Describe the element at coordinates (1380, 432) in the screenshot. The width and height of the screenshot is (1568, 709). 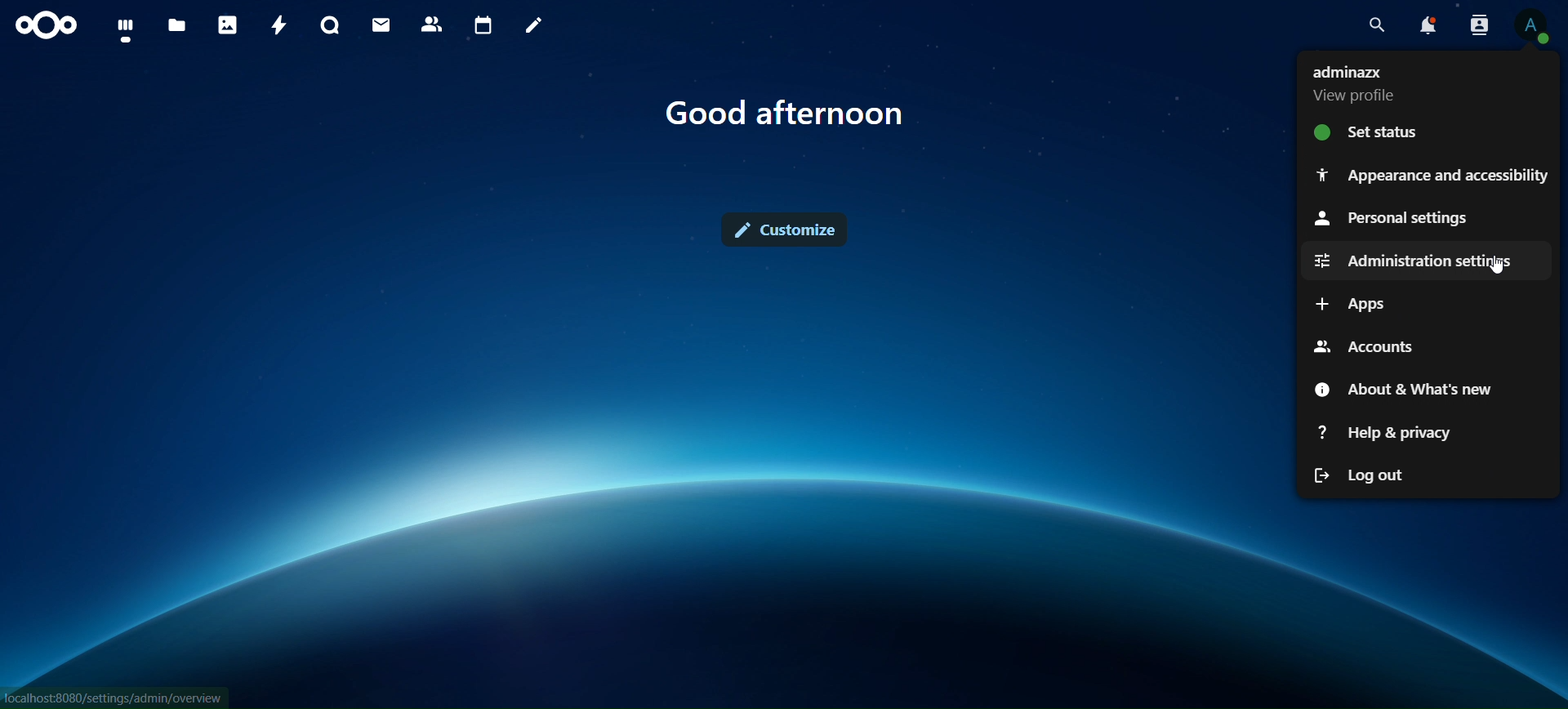
I see `help & privacy` at that location.